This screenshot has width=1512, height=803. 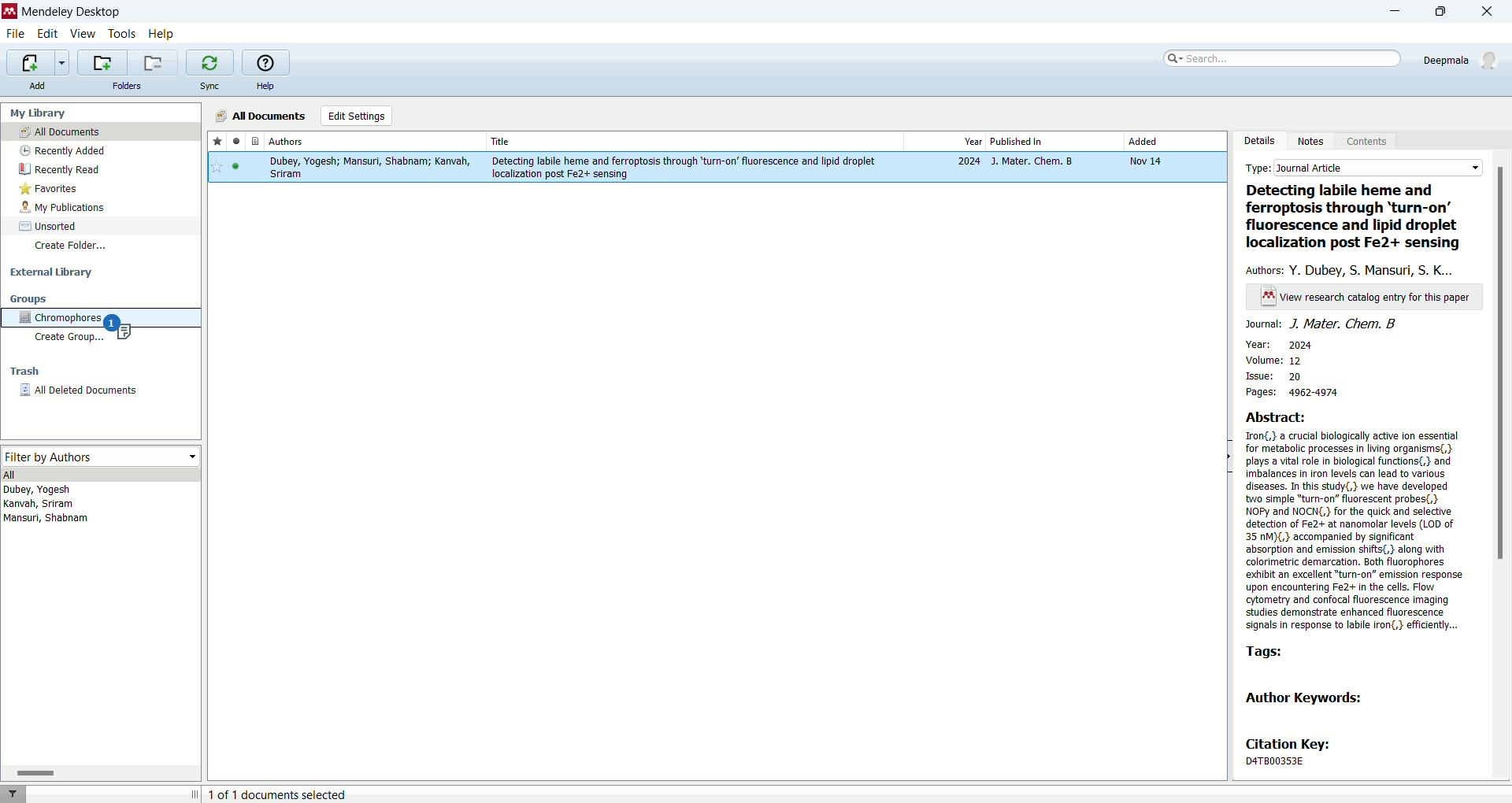 I want to click on journal: J. mater. Chem. B, so click(x=1322, y=324).